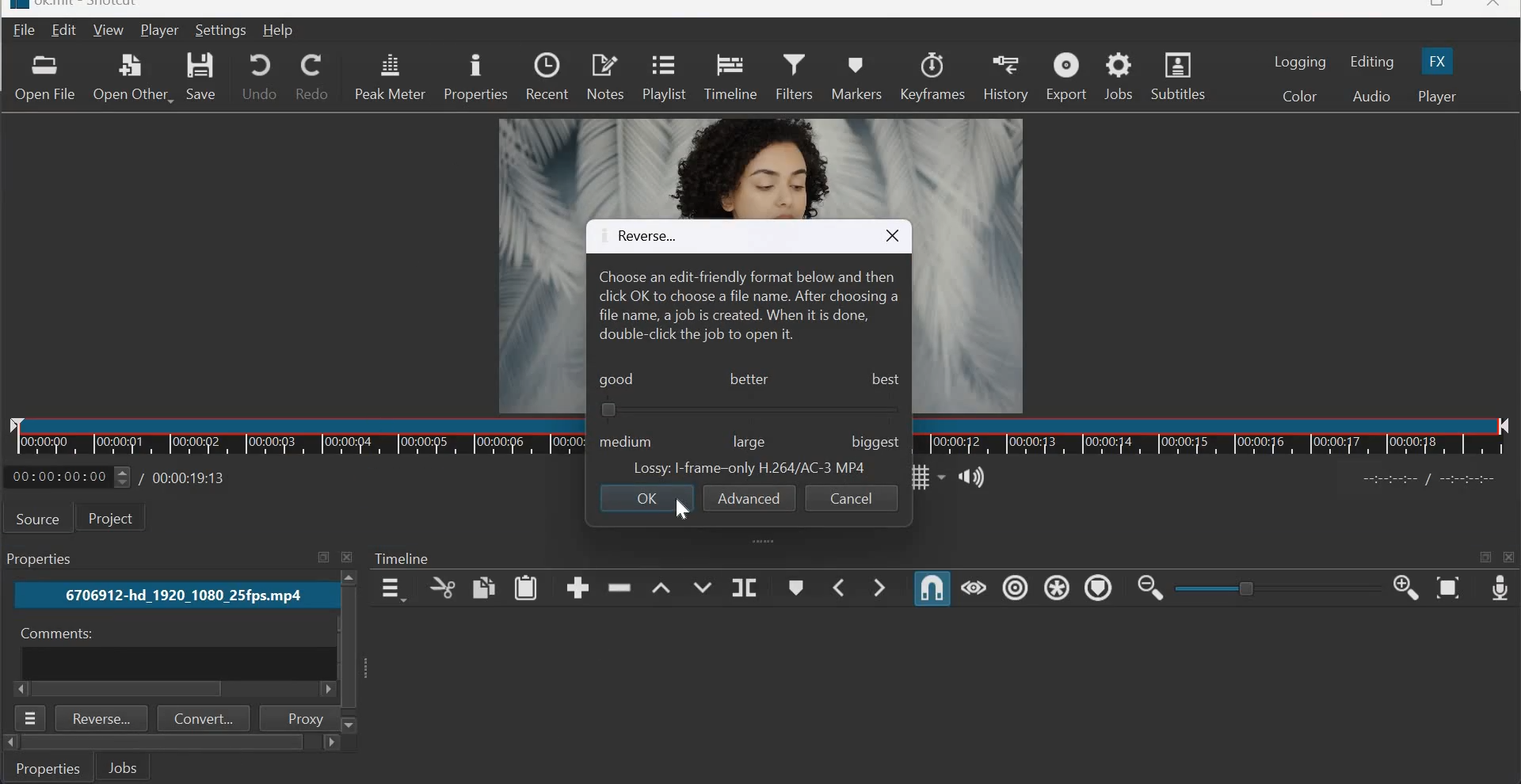 The height and width of the screenshot is (784, 1521). Describe the element at coordinates (1371, 97) in the screenshot. I see `Audio` at that location.